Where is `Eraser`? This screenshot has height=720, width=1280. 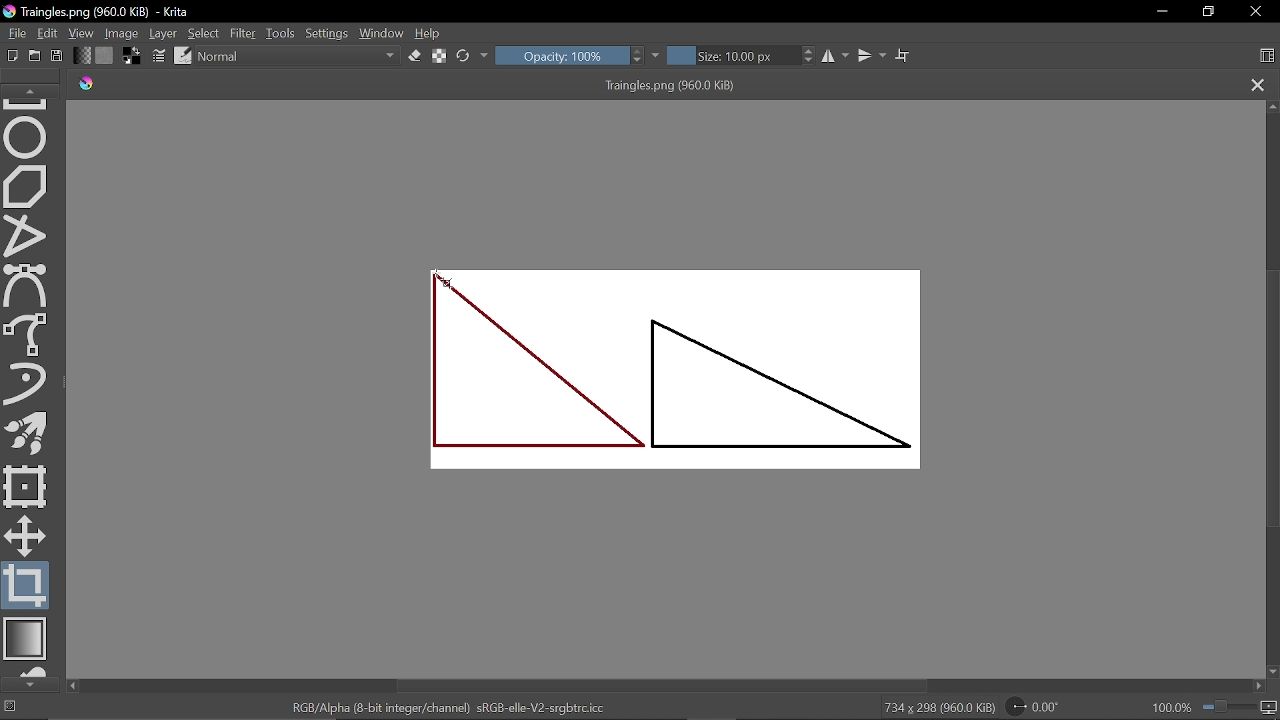
Eraser is located at coordinates (414, 56).